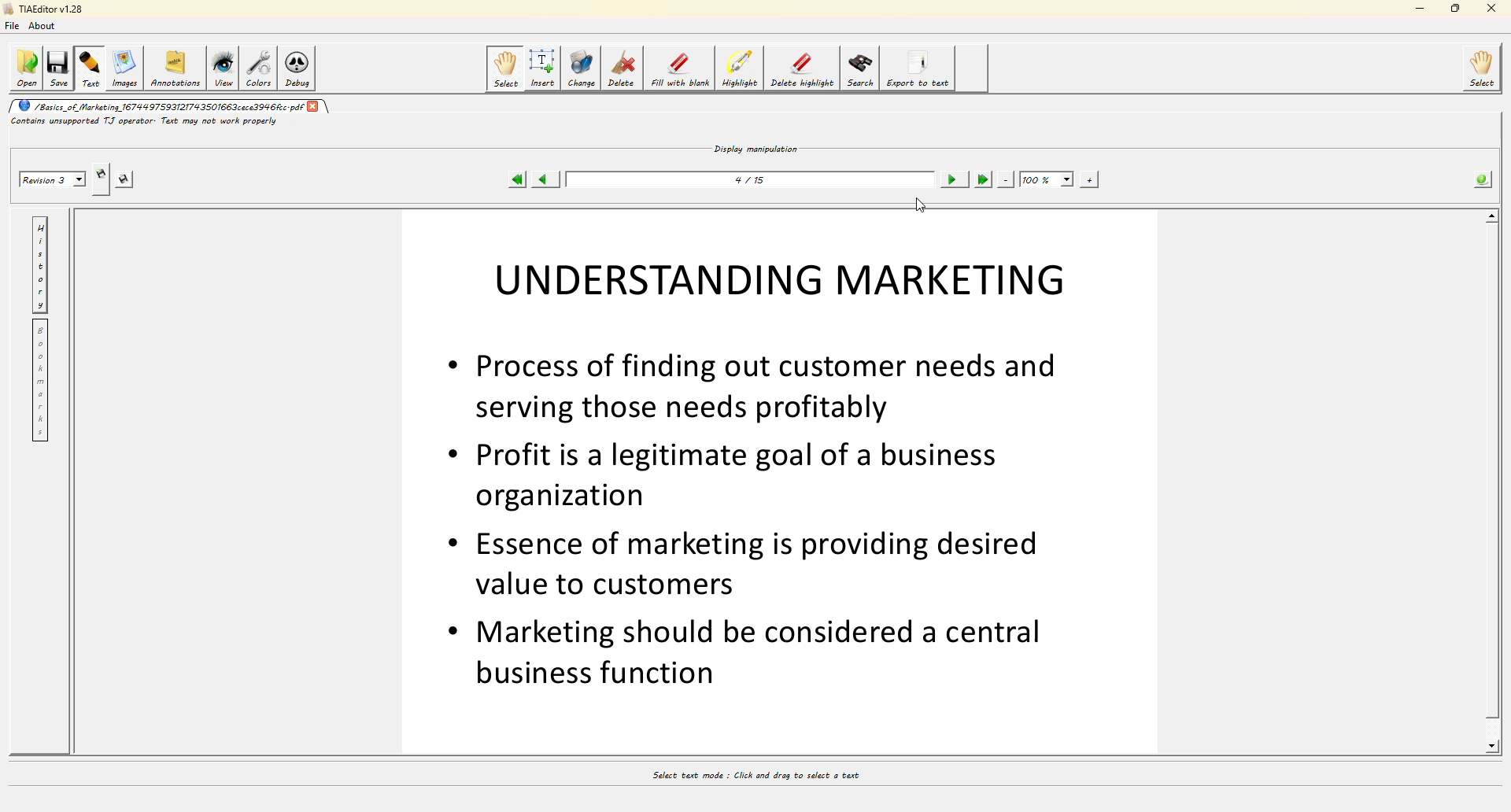  Describe the element at coordinates (740, 69) in the screenshot. I see `highlights` at that location.